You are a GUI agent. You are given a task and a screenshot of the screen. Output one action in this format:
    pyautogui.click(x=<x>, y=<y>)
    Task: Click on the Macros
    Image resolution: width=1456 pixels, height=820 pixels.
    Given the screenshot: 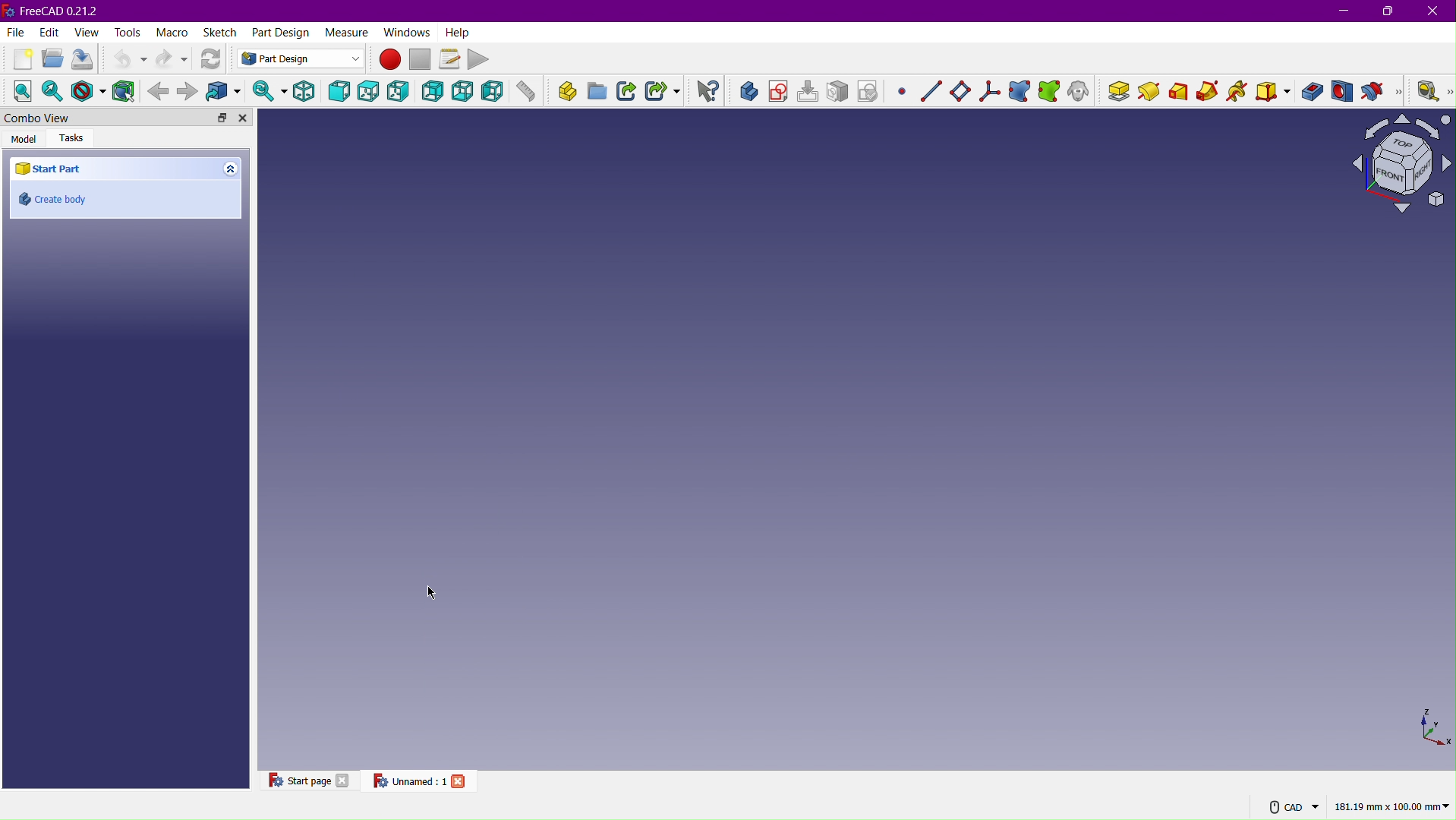 What is the action you would take?
    pyautogui.click(x=452, y=60)
    